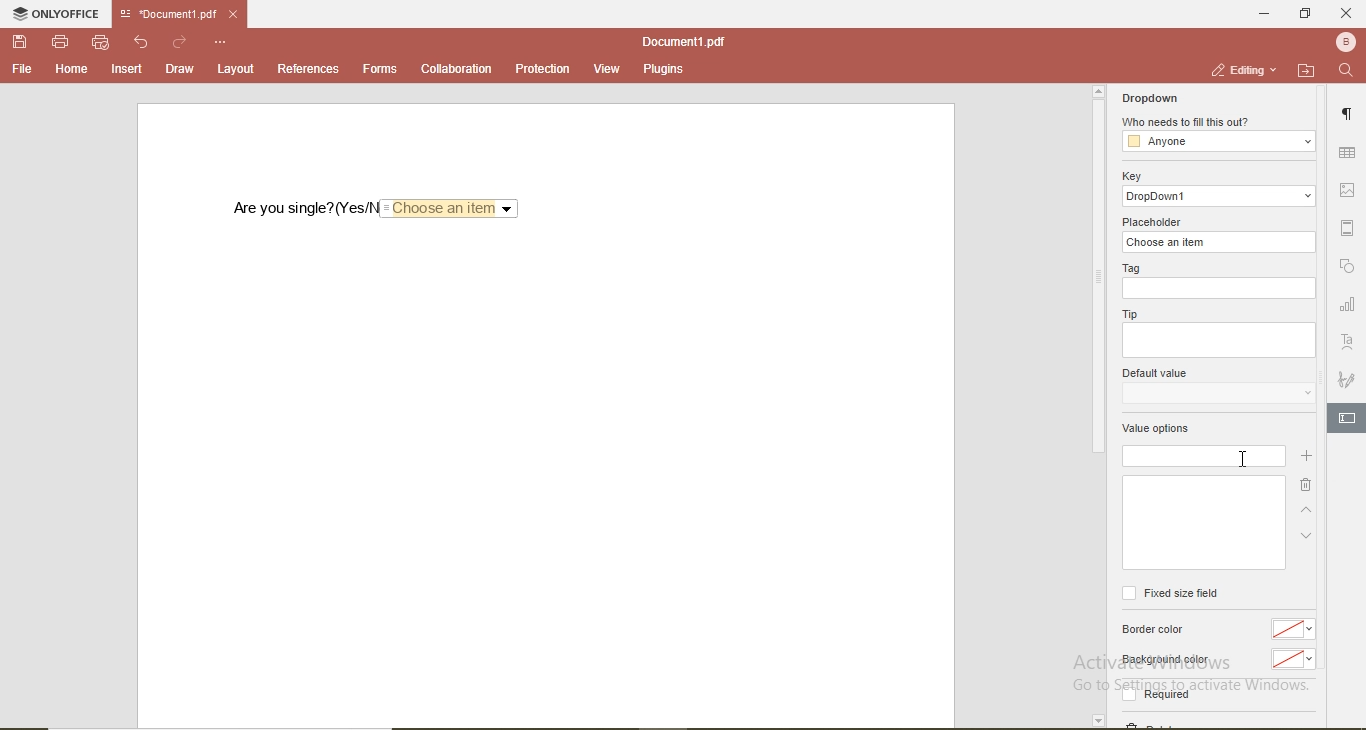 This screenshot has width=1366, height=730. I want to click on image, so click(1348, 187).